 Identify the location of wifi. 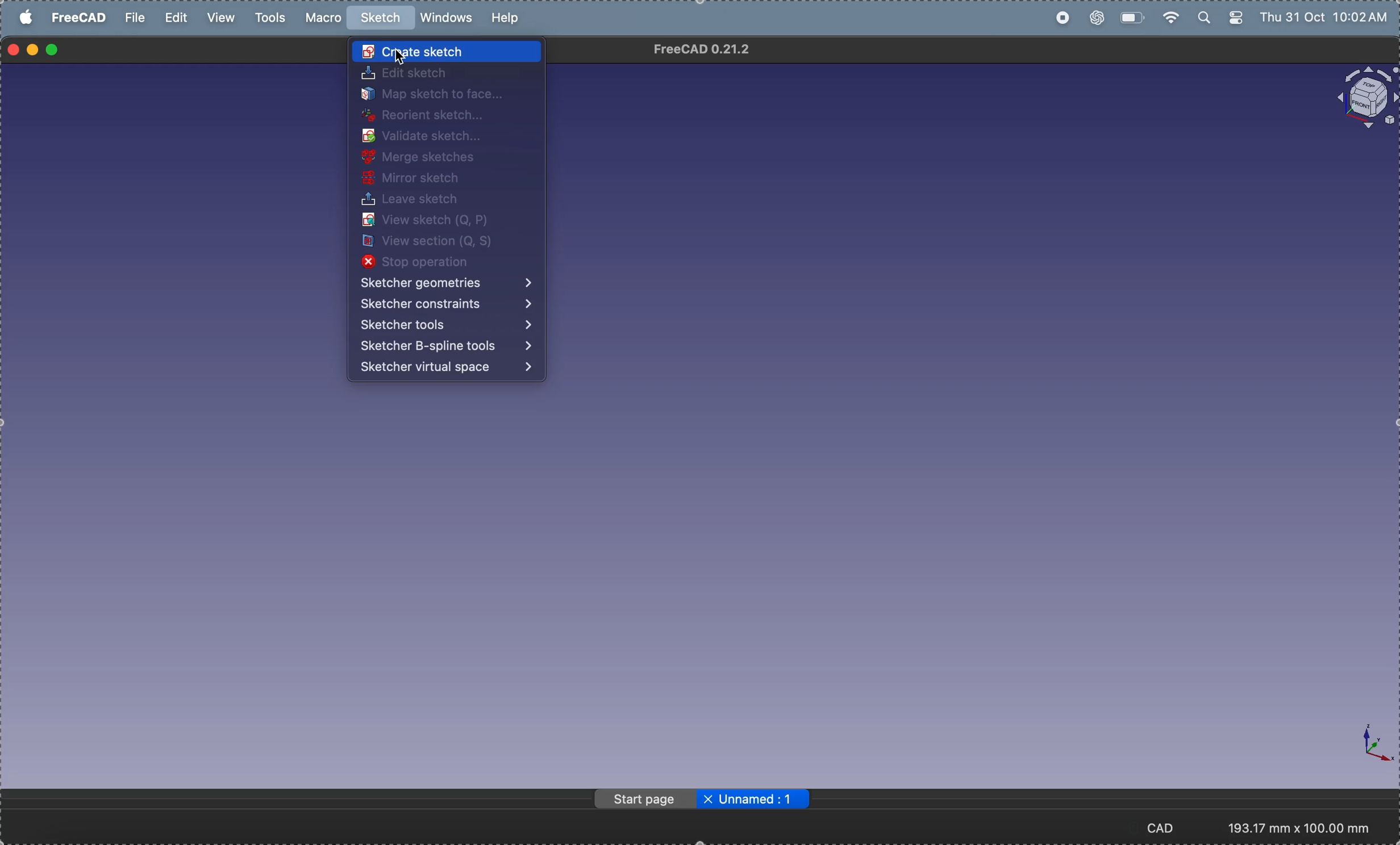
(1168, 18).